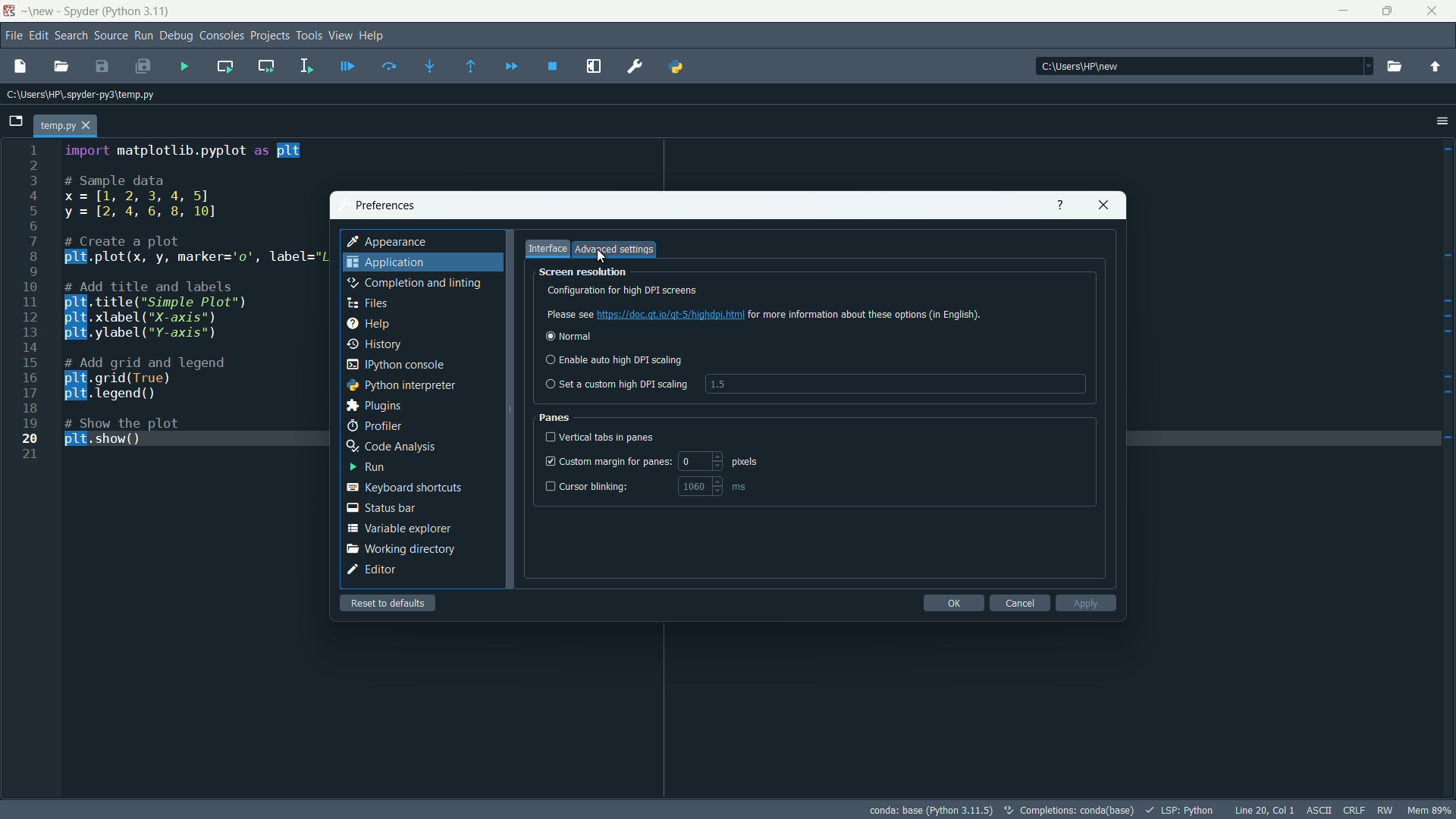 Image resolution: width=1456 pixels, height=819 pixels. Describe the element at coordinates (510, 67) in the screenshot. I see `continue debugging until next breakpoint` at that location.